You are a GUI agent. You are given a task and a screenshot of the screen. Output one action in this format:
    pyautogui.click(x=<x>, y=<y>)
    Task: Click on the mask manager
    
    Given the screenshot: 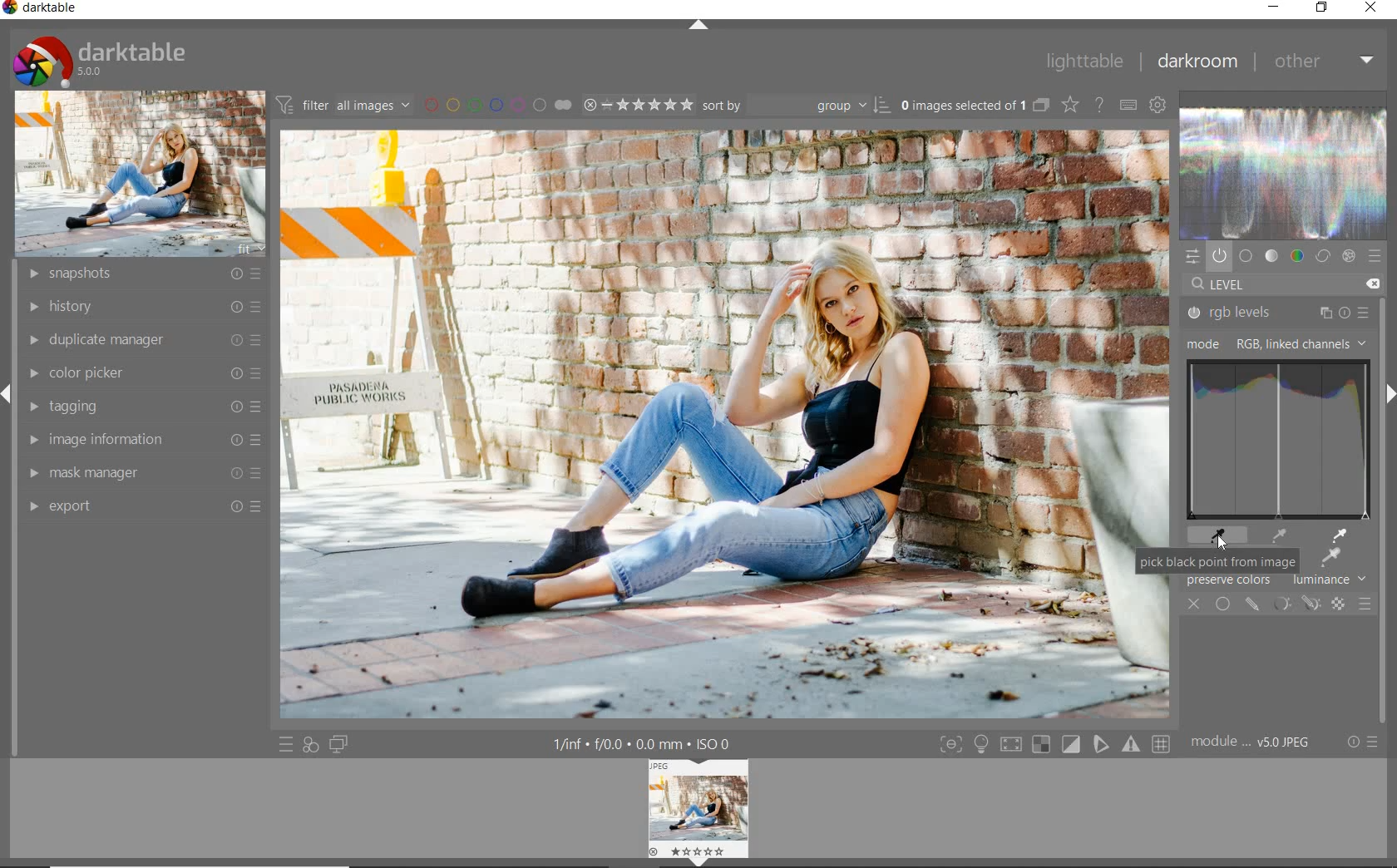 What is the action you would take?
    pyautogui.click(x=141, y=474)
    